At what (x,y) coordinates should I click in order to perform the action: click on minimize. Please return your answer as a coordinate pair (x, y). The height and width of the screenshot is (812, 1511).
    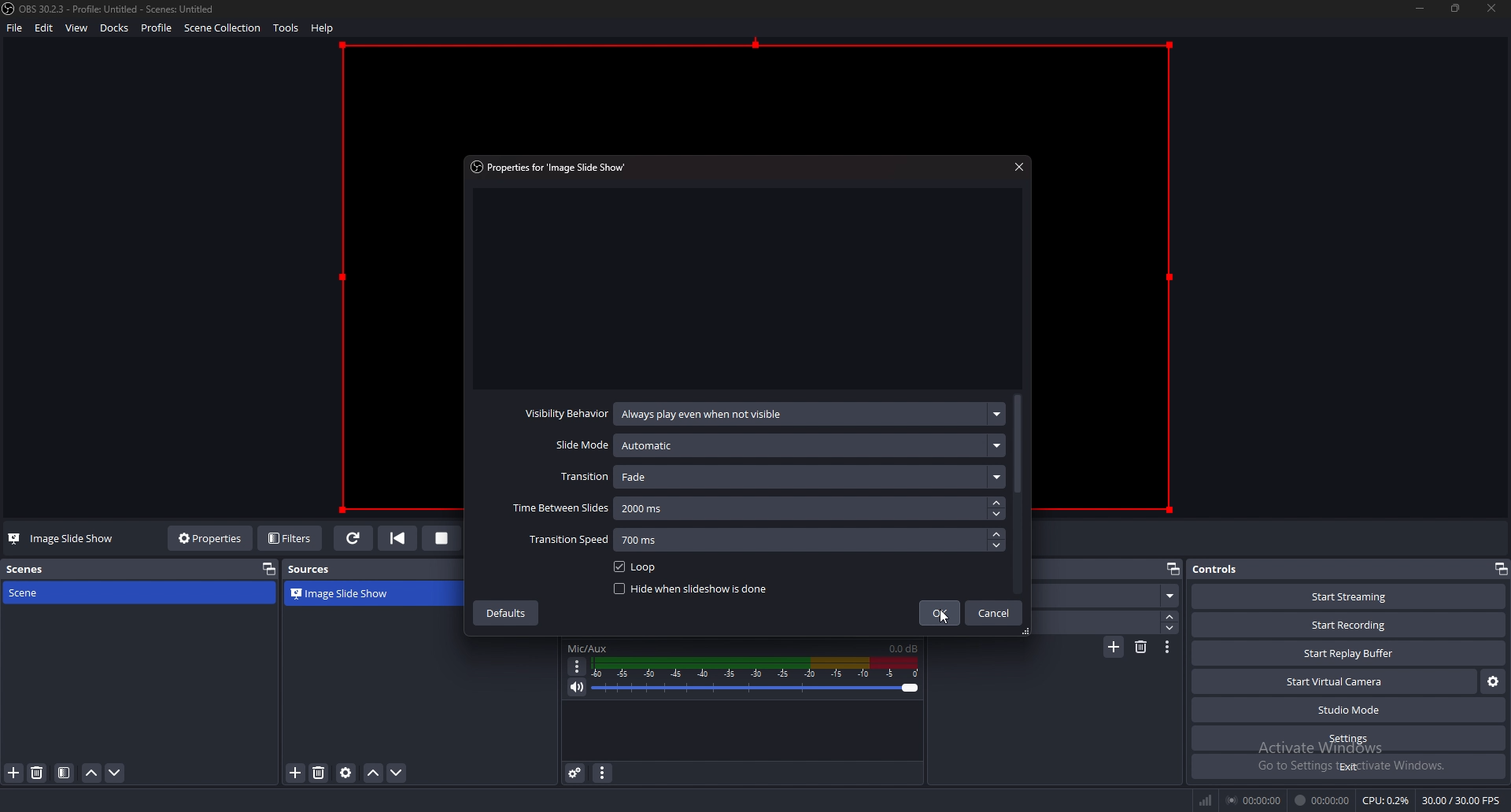
    Looking at the image, I should click on (1421, 9).